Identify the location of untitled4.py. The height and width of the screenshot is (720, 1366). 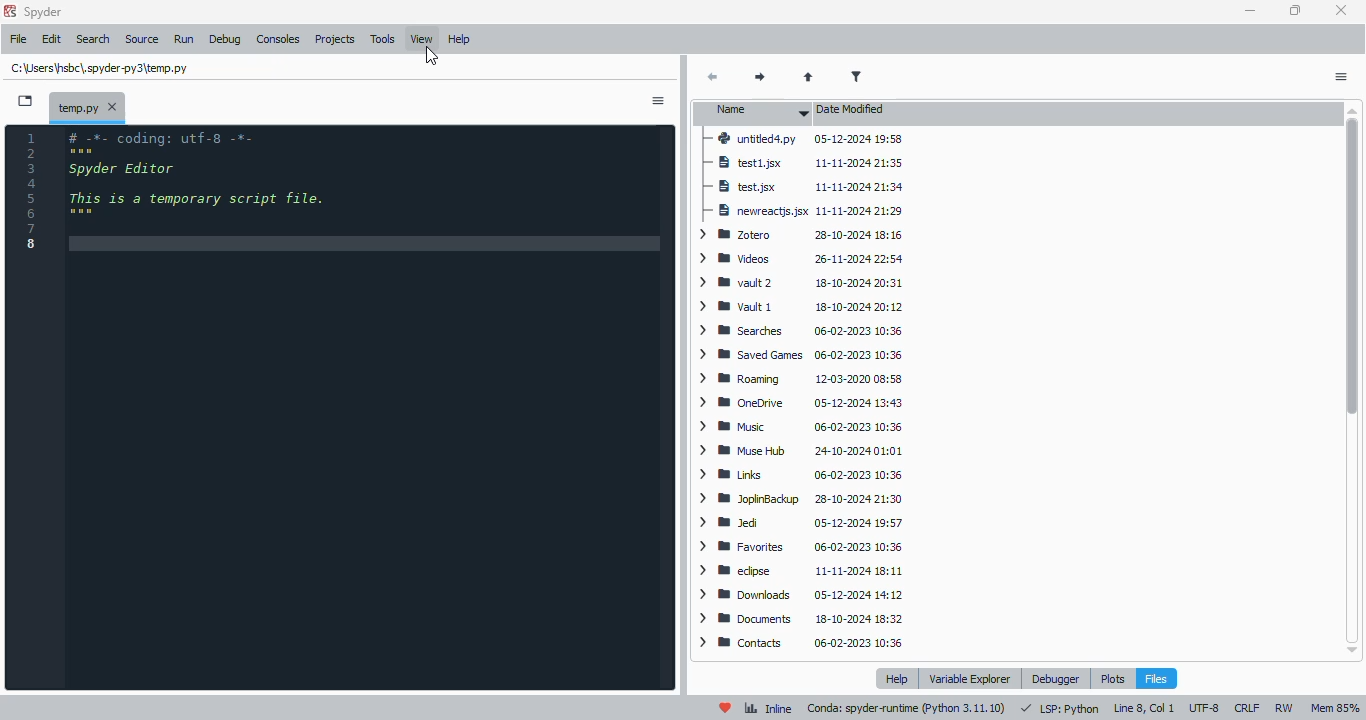
(800, 140).